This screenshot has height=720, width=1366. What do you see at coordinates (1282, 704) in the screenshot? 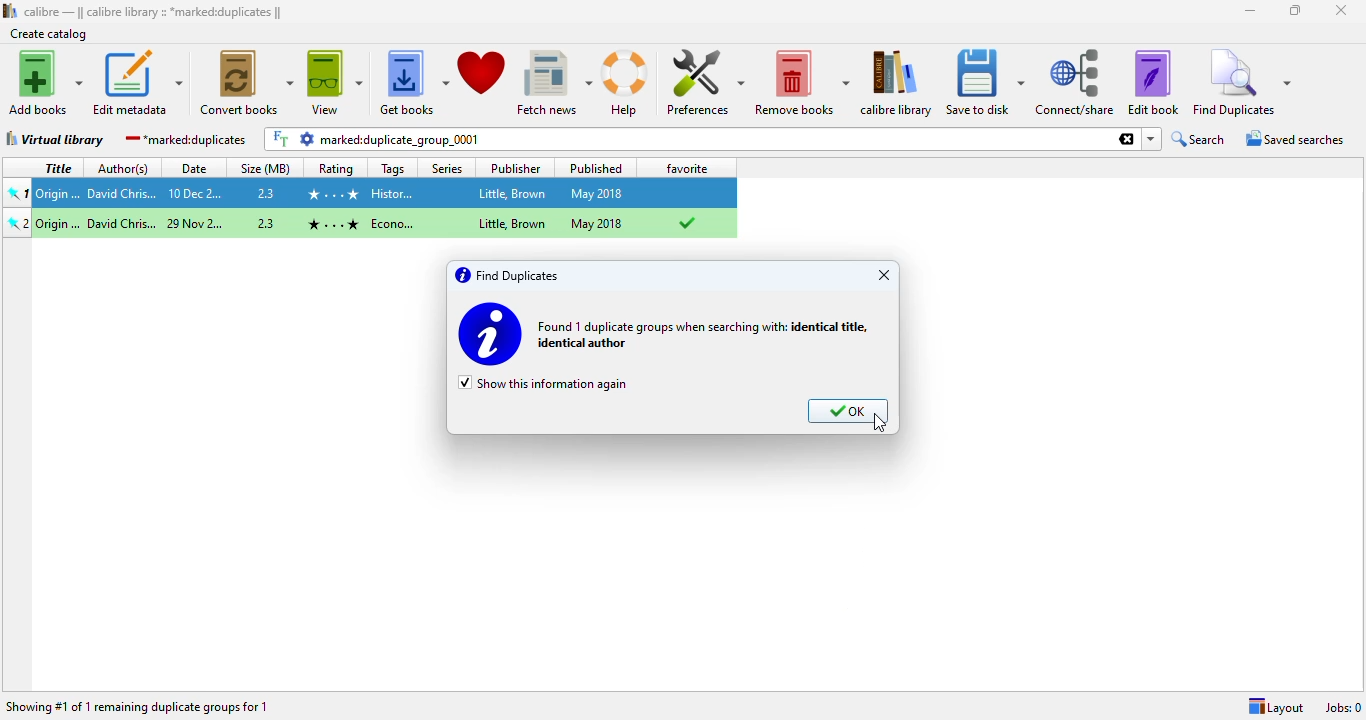
I see `Layout` at bounding box center [1282, 704].